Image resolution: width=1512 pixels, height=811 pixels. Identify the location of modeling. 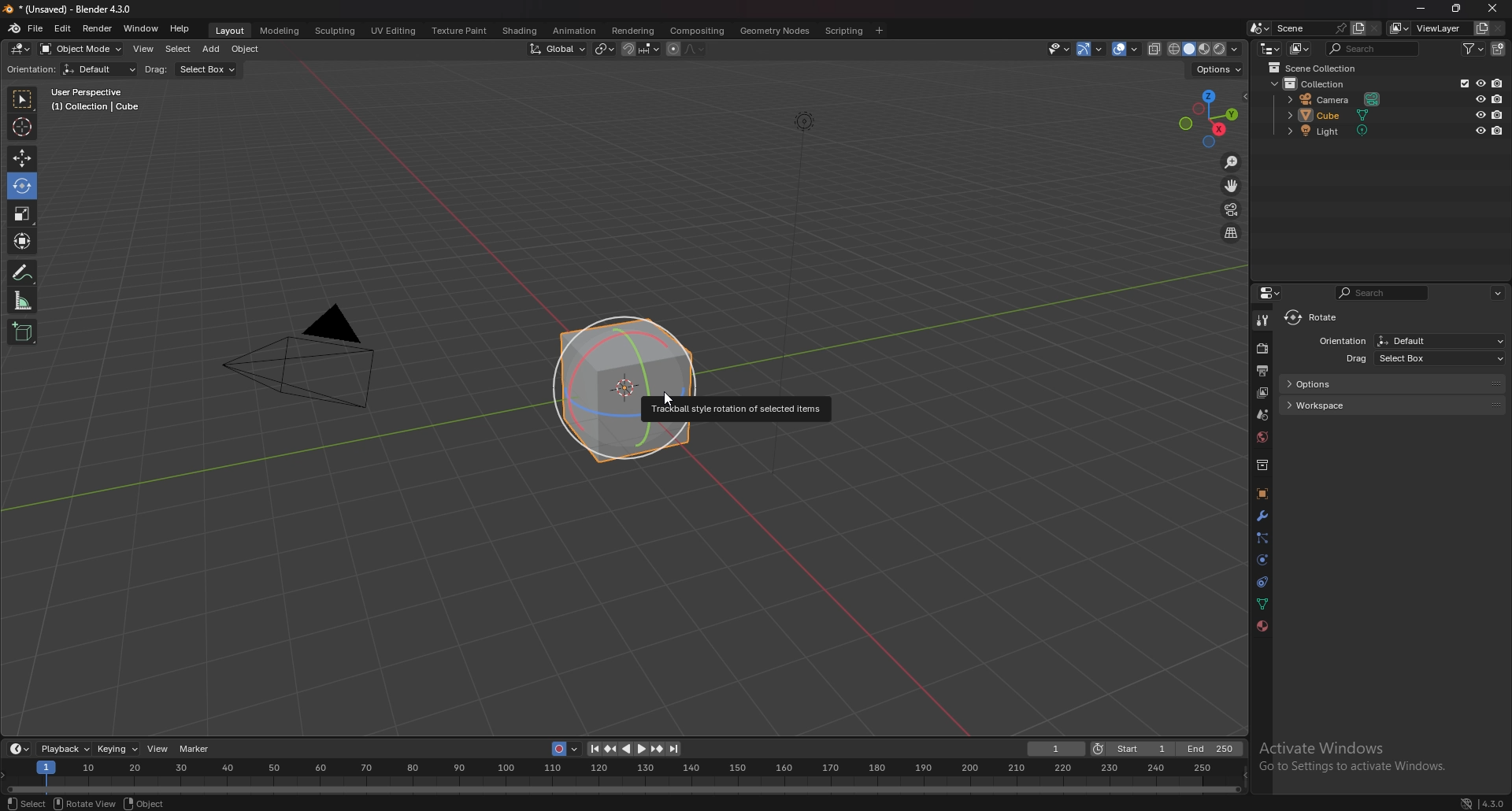
(281, 31).